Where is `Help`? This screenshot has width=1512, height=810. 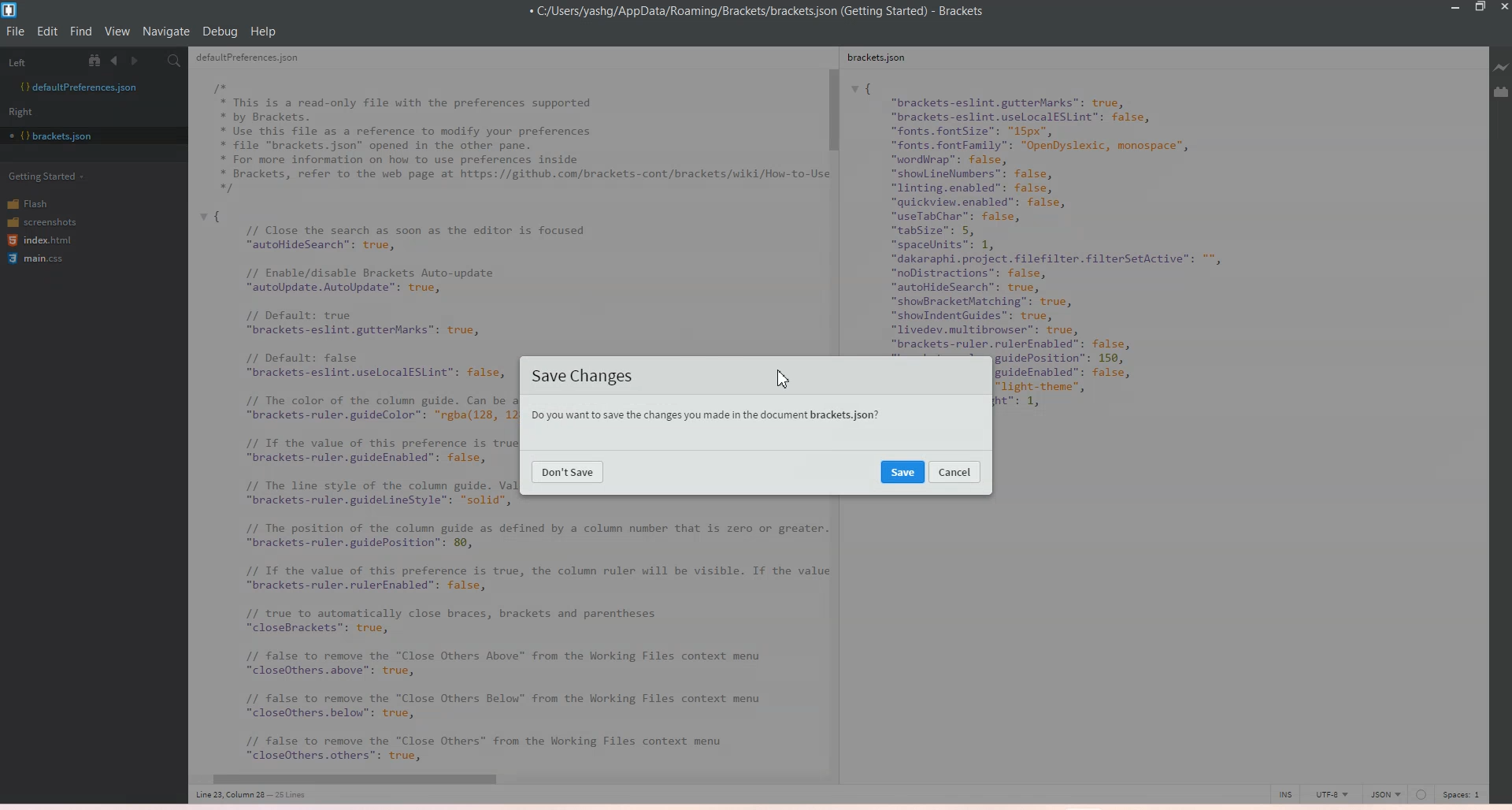
Help is located at coordinates (263, 32).